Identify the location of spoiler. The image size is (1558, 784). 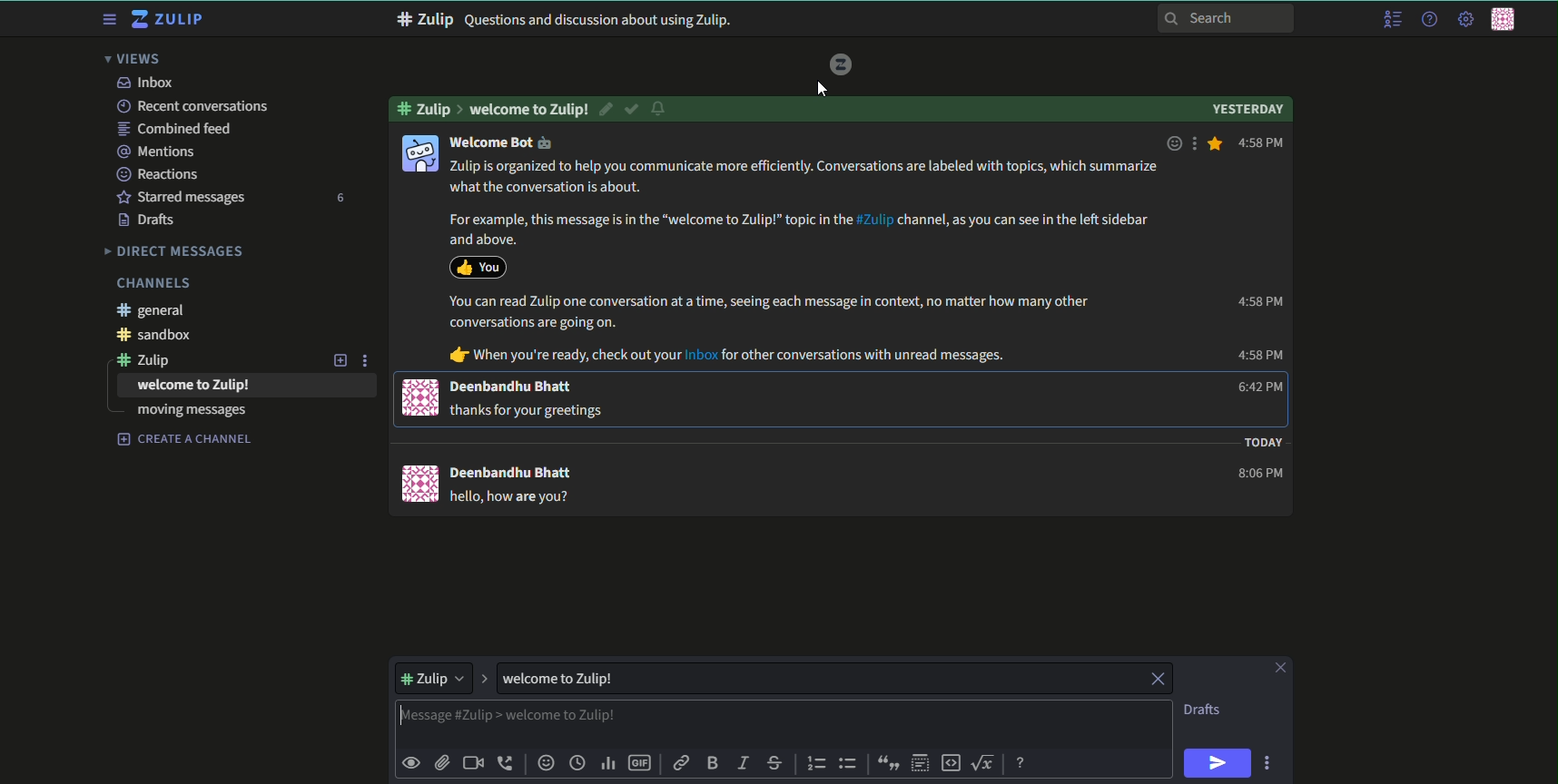
(921, 763).